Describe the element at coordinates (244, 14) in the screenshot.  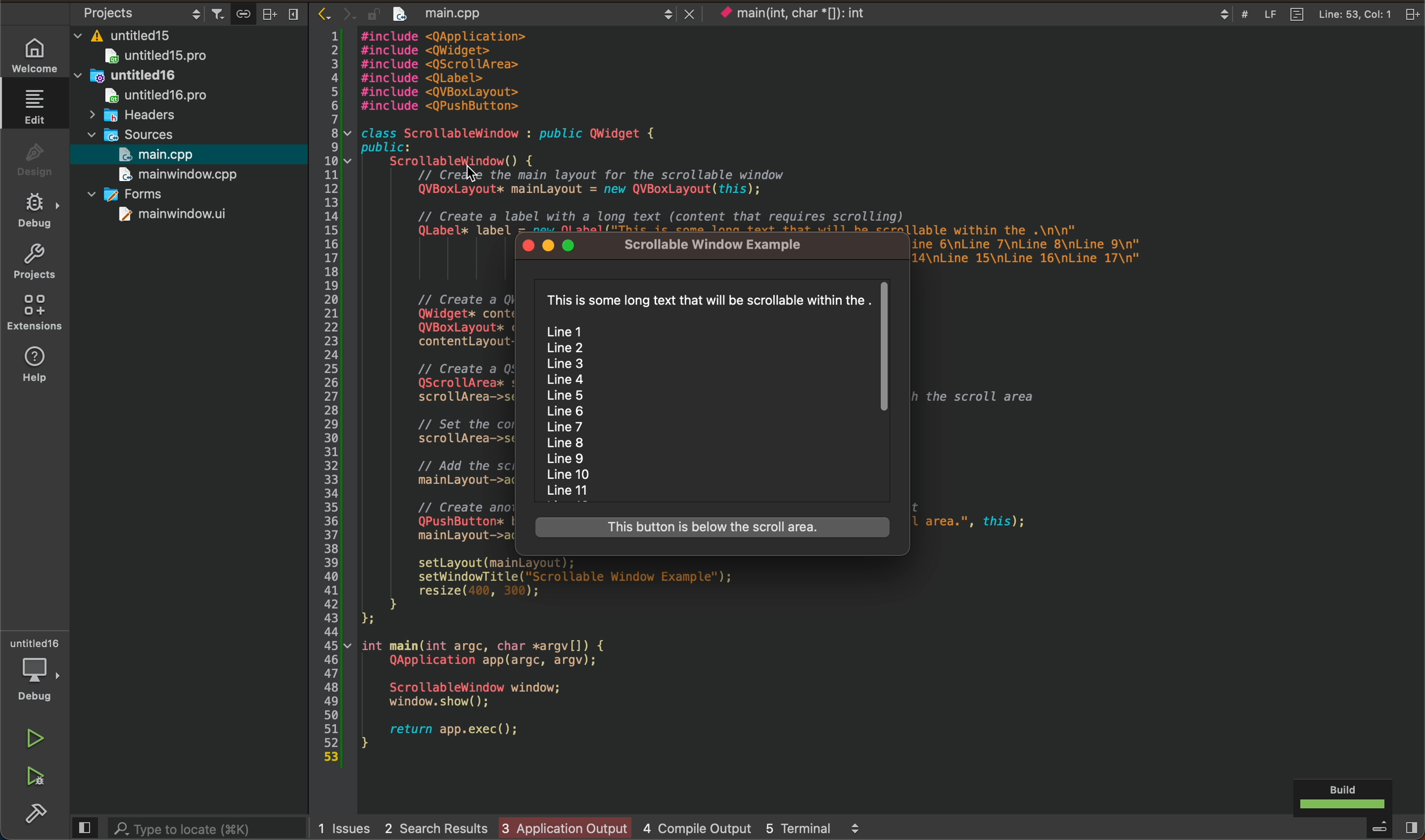
I see `` at that location.